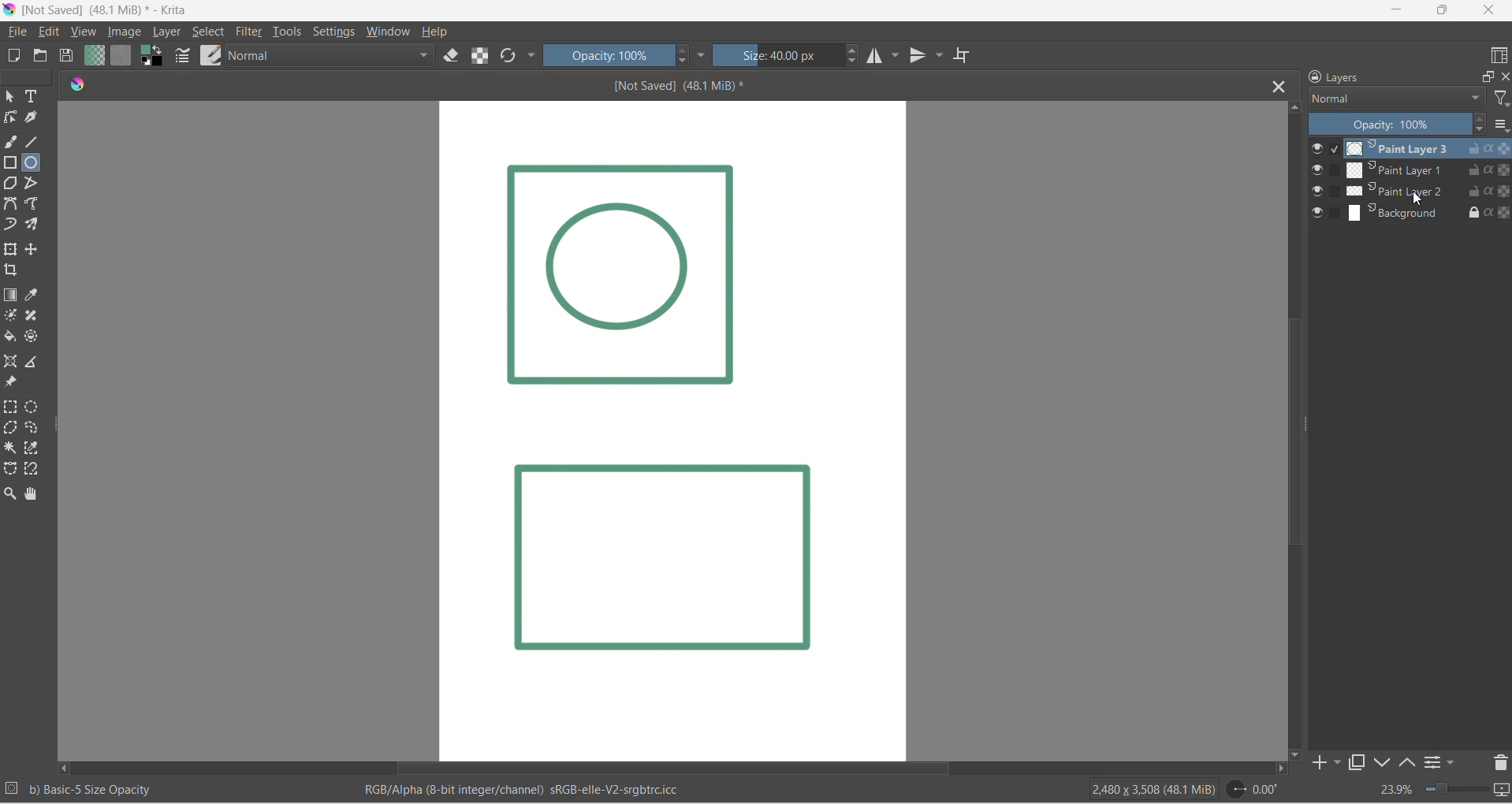 The height and width of the screenshot is (804, 1512). What do you see at coordinates (36, 430) in the screenshot?
I see `curve selection tool` at bounding box center [36, 430].